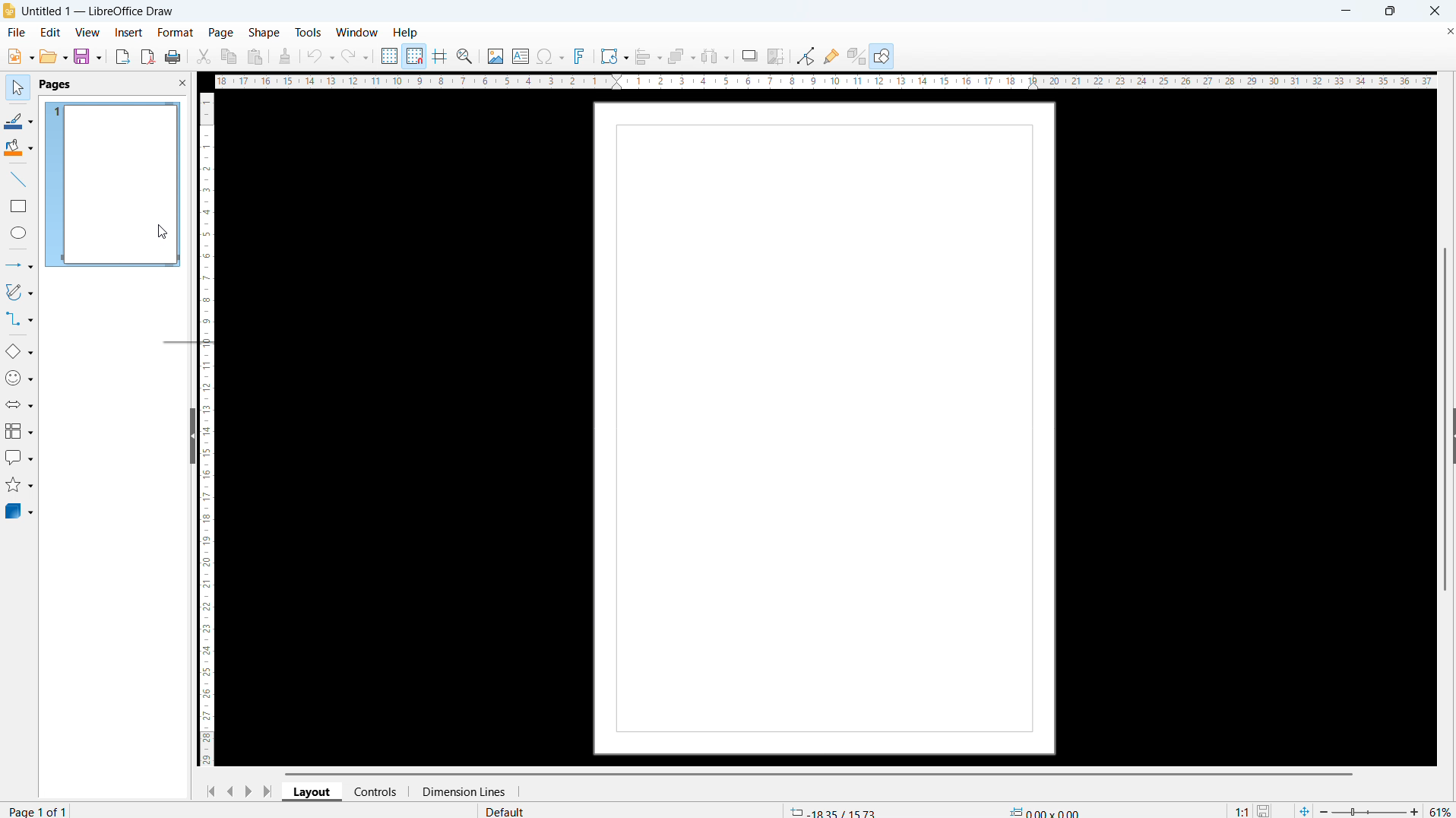 The height and width of the screenshot is (818, 1456). I want to click on layout, so click(312, 792).